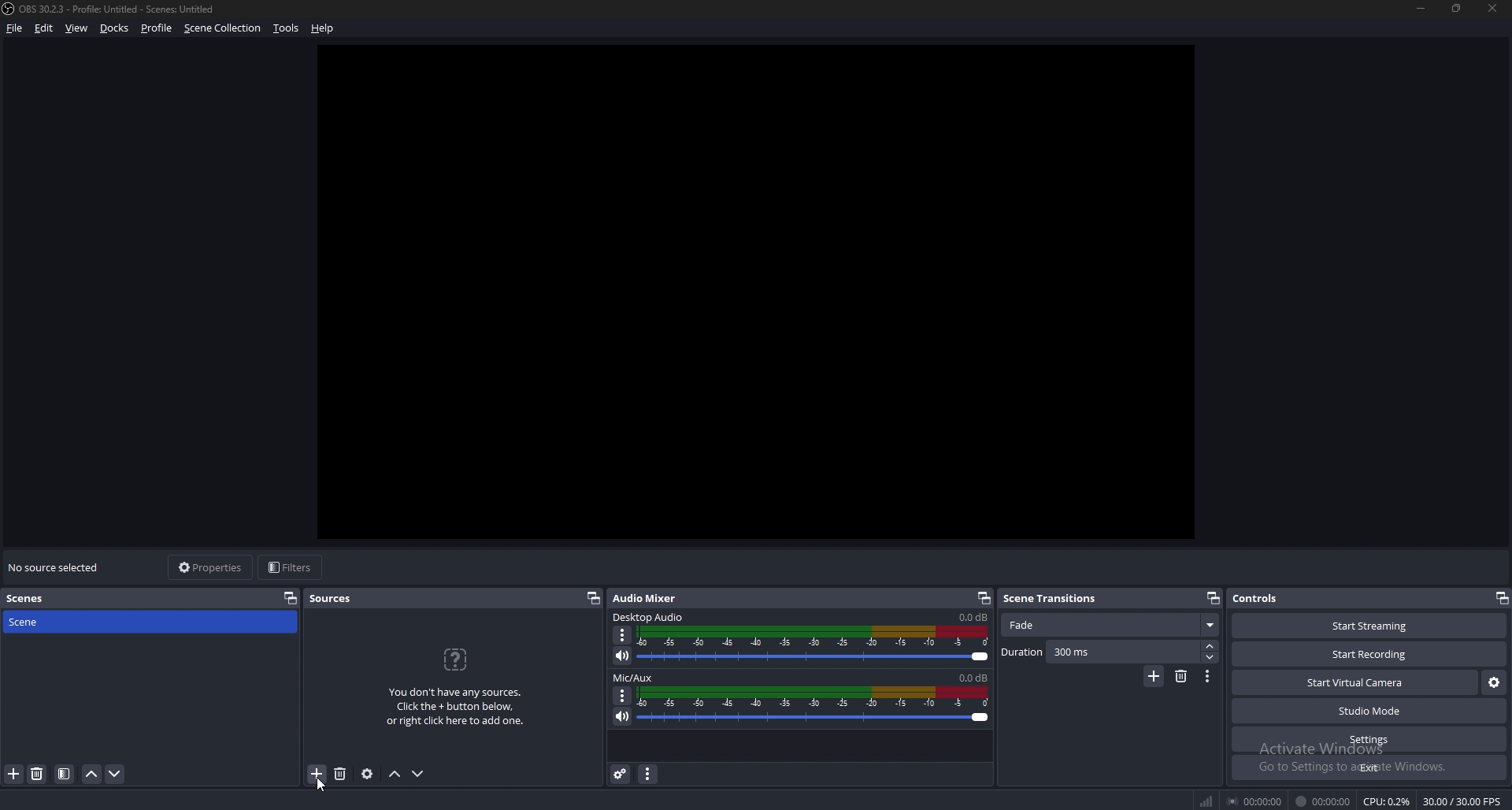 This screenshot has width=1512, height=810. What do you see at coordinates (1386, 801) in the screenshot?
I see `CPU: 0.2%` at bounding box center [1386, 801].